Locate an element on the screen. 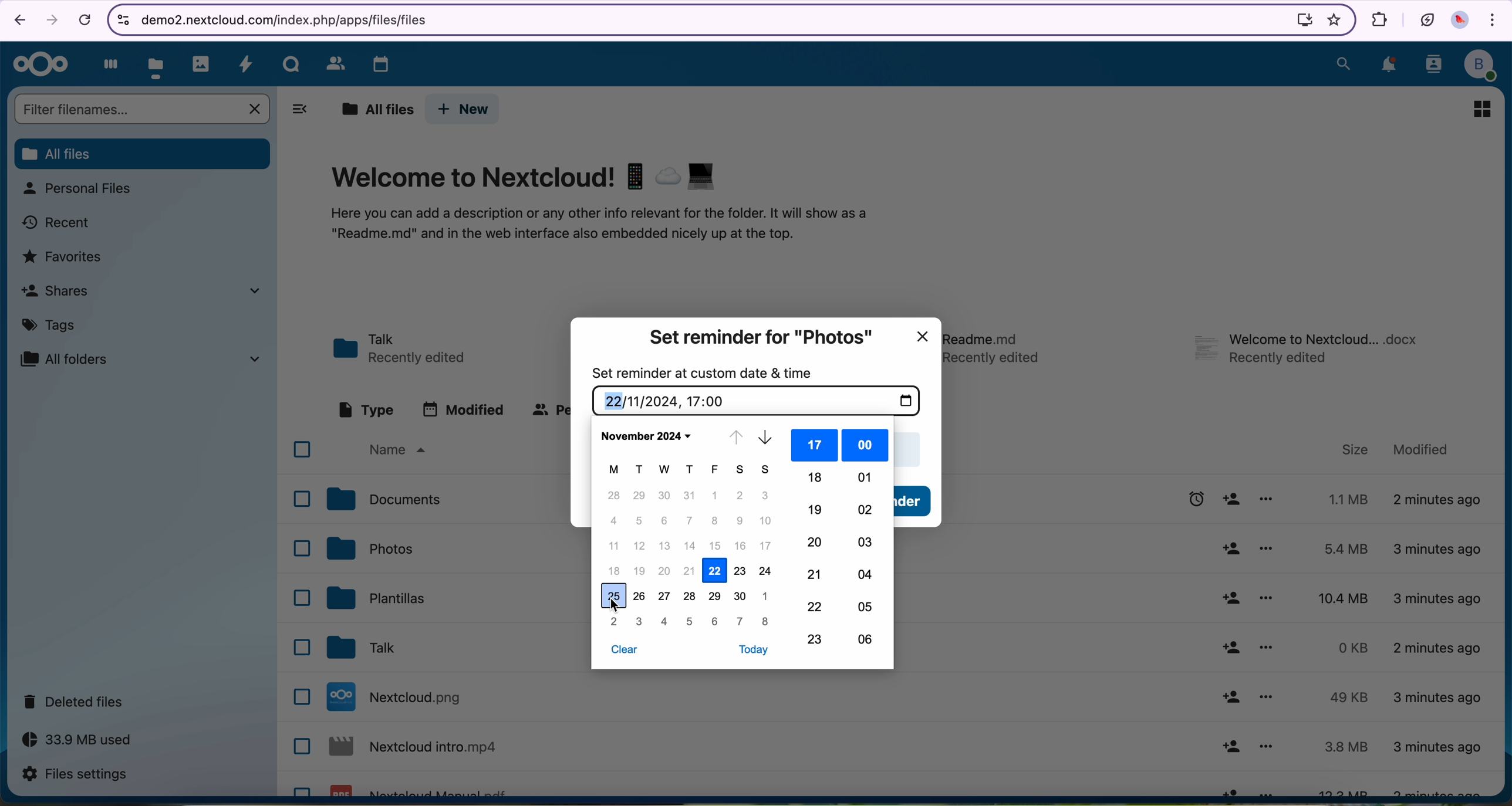 The width and height of the screenshot is (1512, 806). Nextcloud file is located at coordinates (417, 749).